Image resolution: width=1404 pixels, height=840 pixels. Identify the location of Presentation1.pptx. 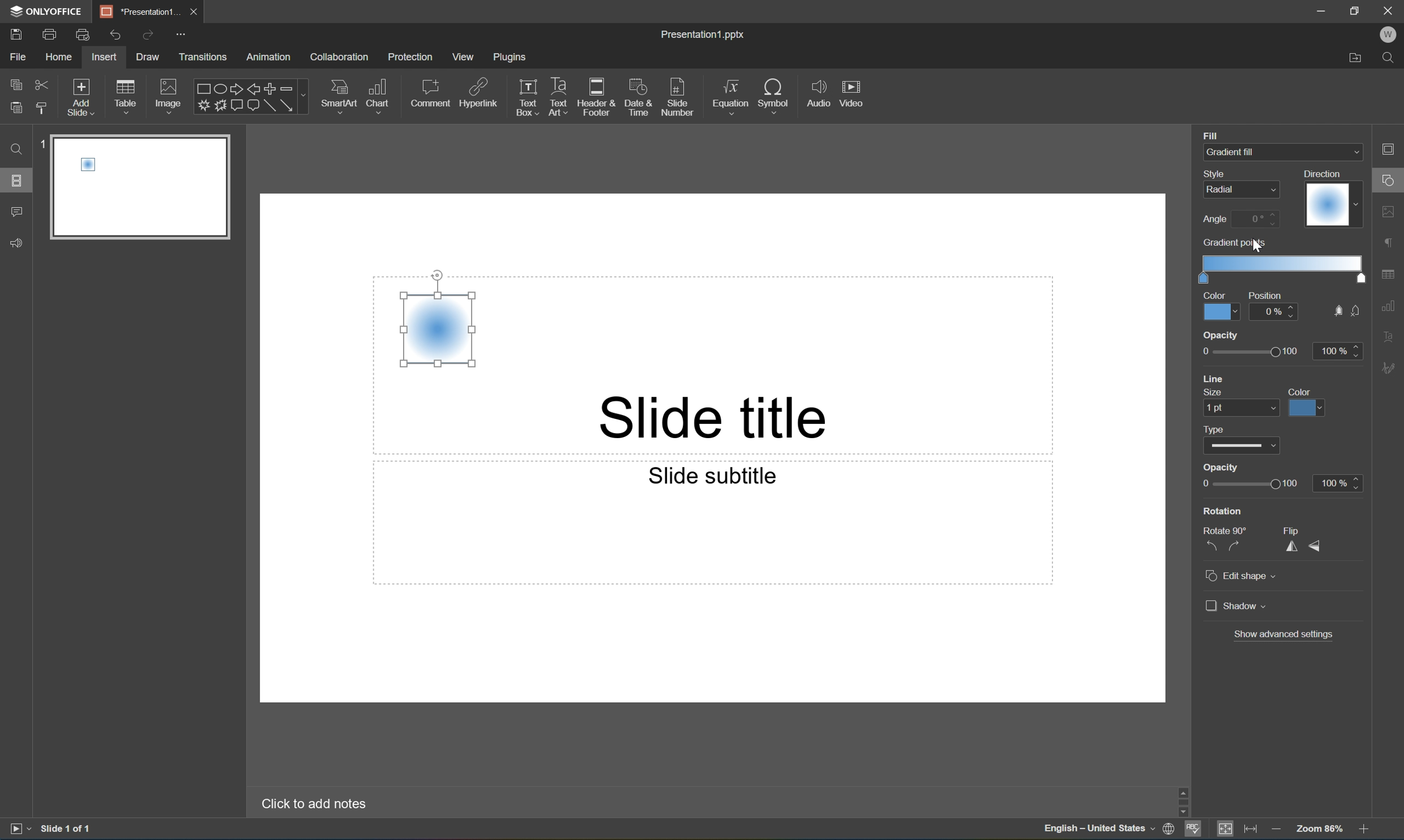
(705, 36).